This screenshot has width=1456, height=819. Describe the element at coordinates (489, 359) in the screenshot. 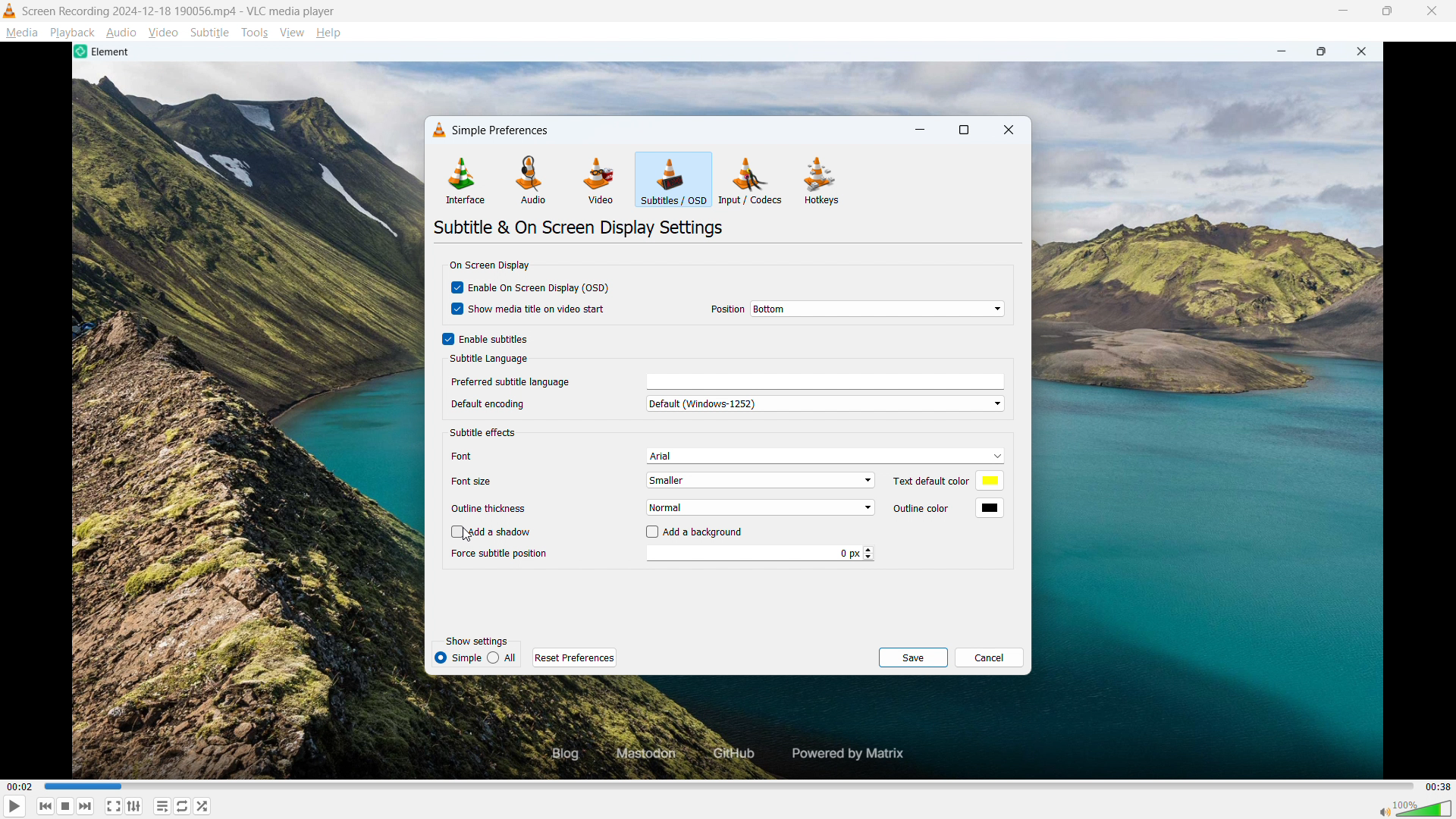

I see `Subtitle language ` at that location.